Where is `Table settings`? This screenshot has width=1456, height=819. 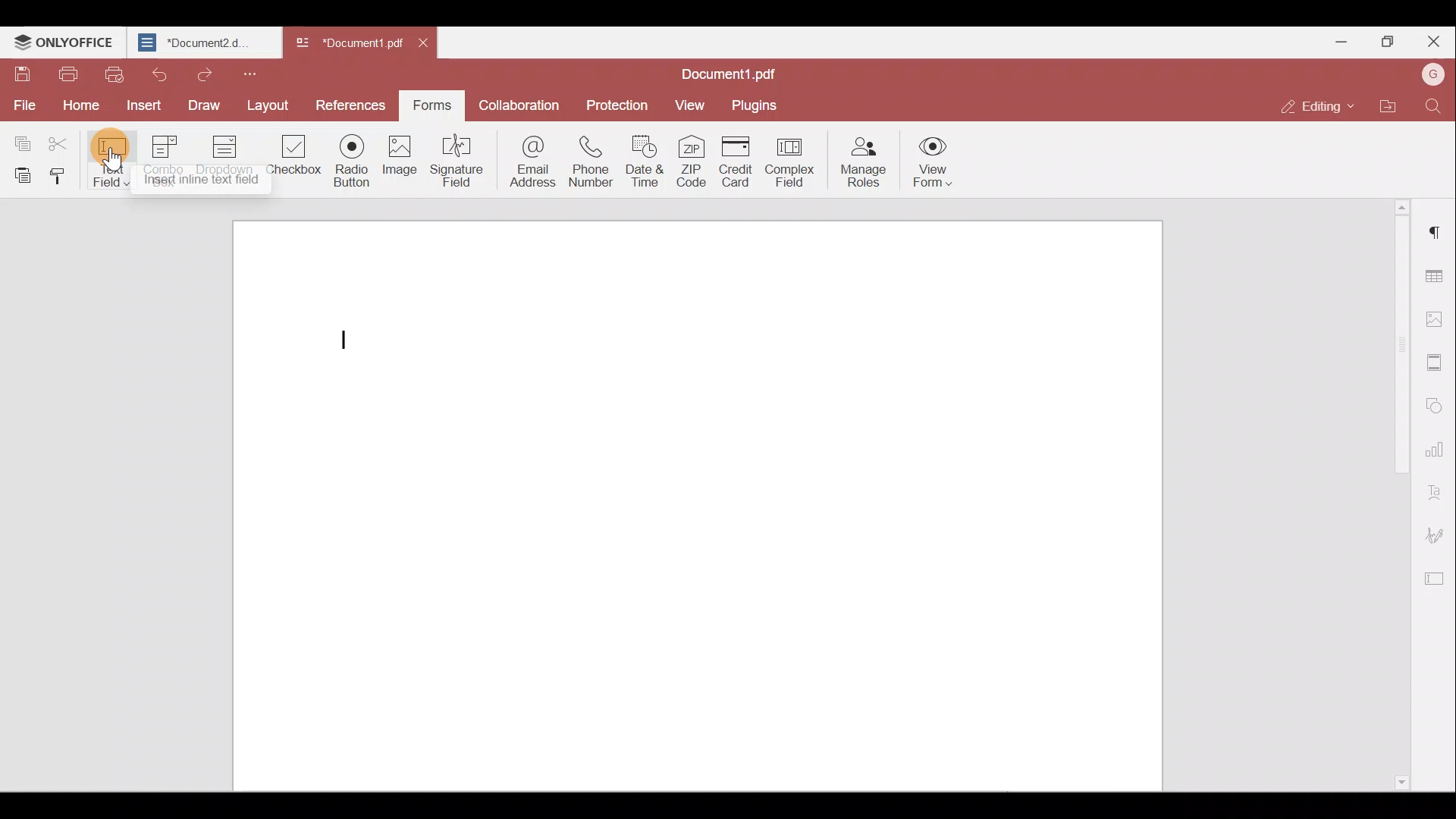
Table settings is located at coordinates (1436, 271).